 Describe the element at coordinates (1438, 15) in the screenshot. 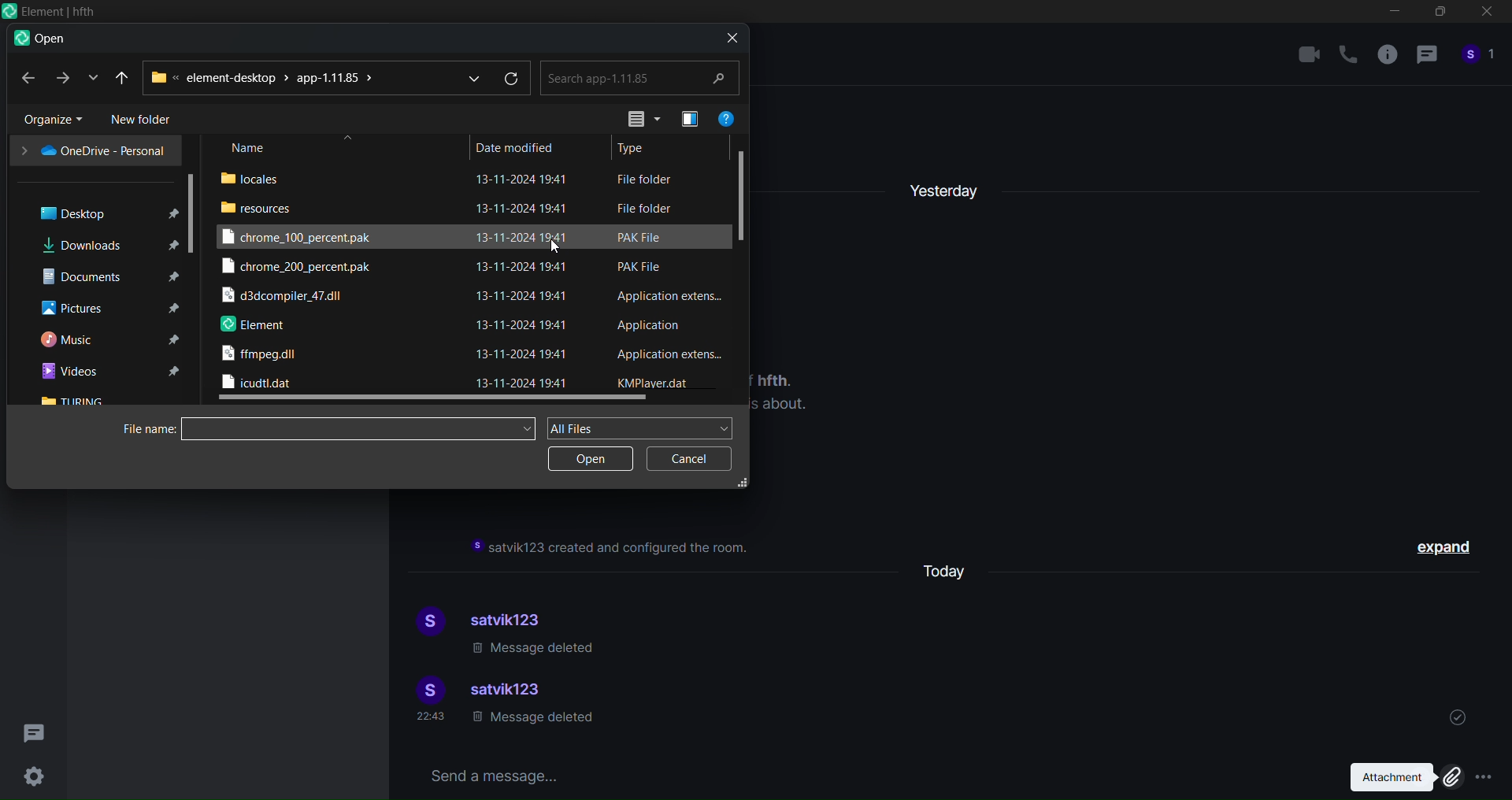

I see `maximize` at that location.